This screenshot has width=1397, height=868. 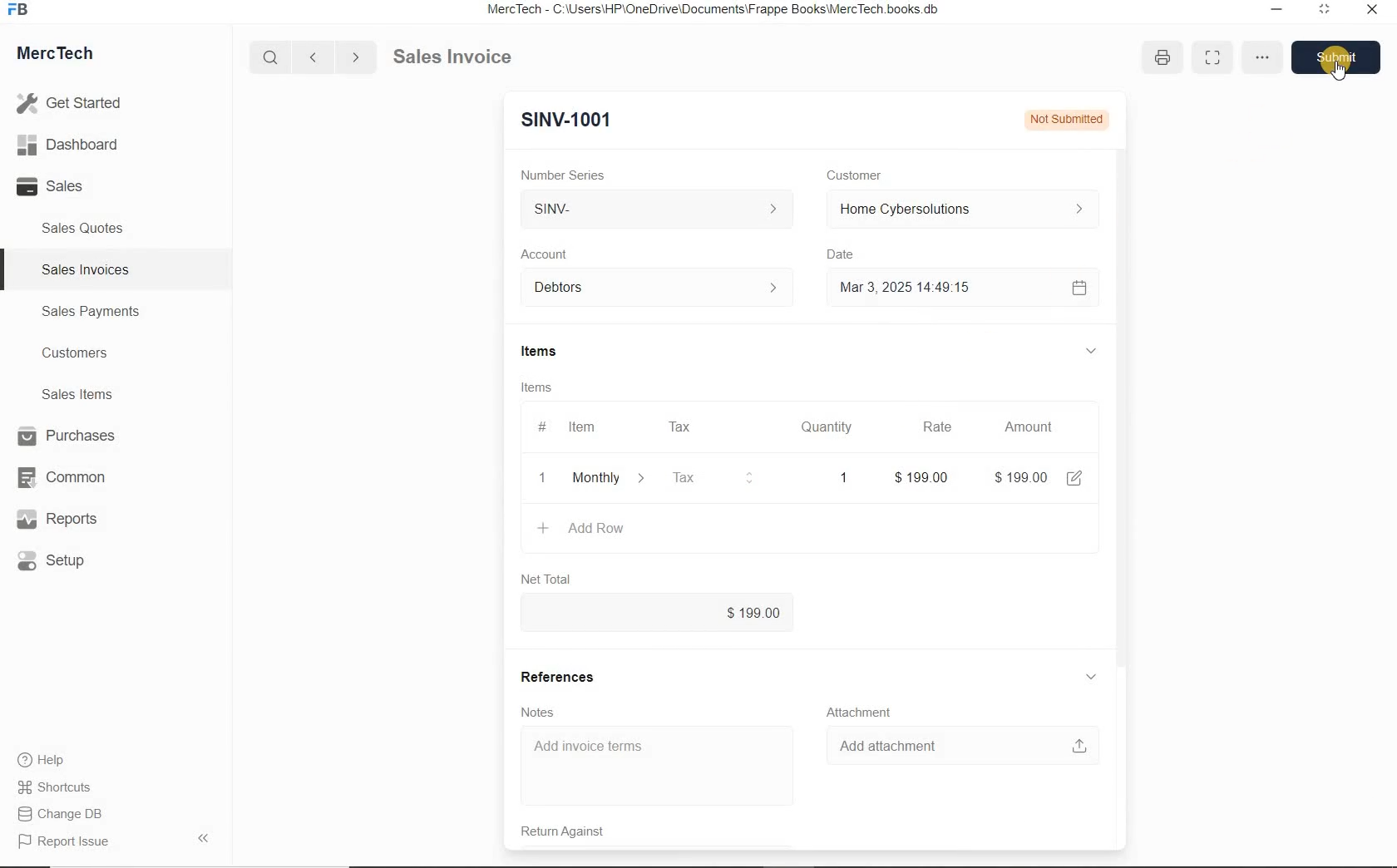 I want to click on Hide Sidebar, so click(x=202, y=837).